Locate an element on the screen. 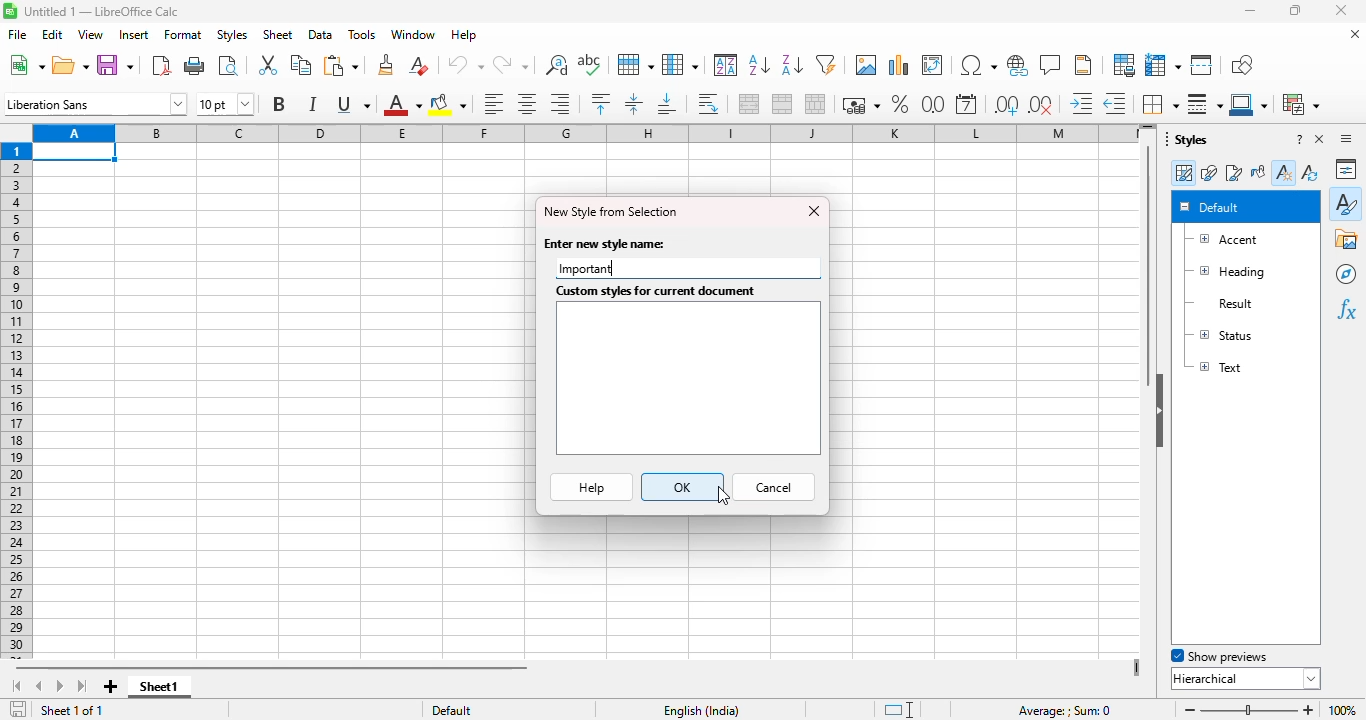  title is located at coordinates (102, 11).